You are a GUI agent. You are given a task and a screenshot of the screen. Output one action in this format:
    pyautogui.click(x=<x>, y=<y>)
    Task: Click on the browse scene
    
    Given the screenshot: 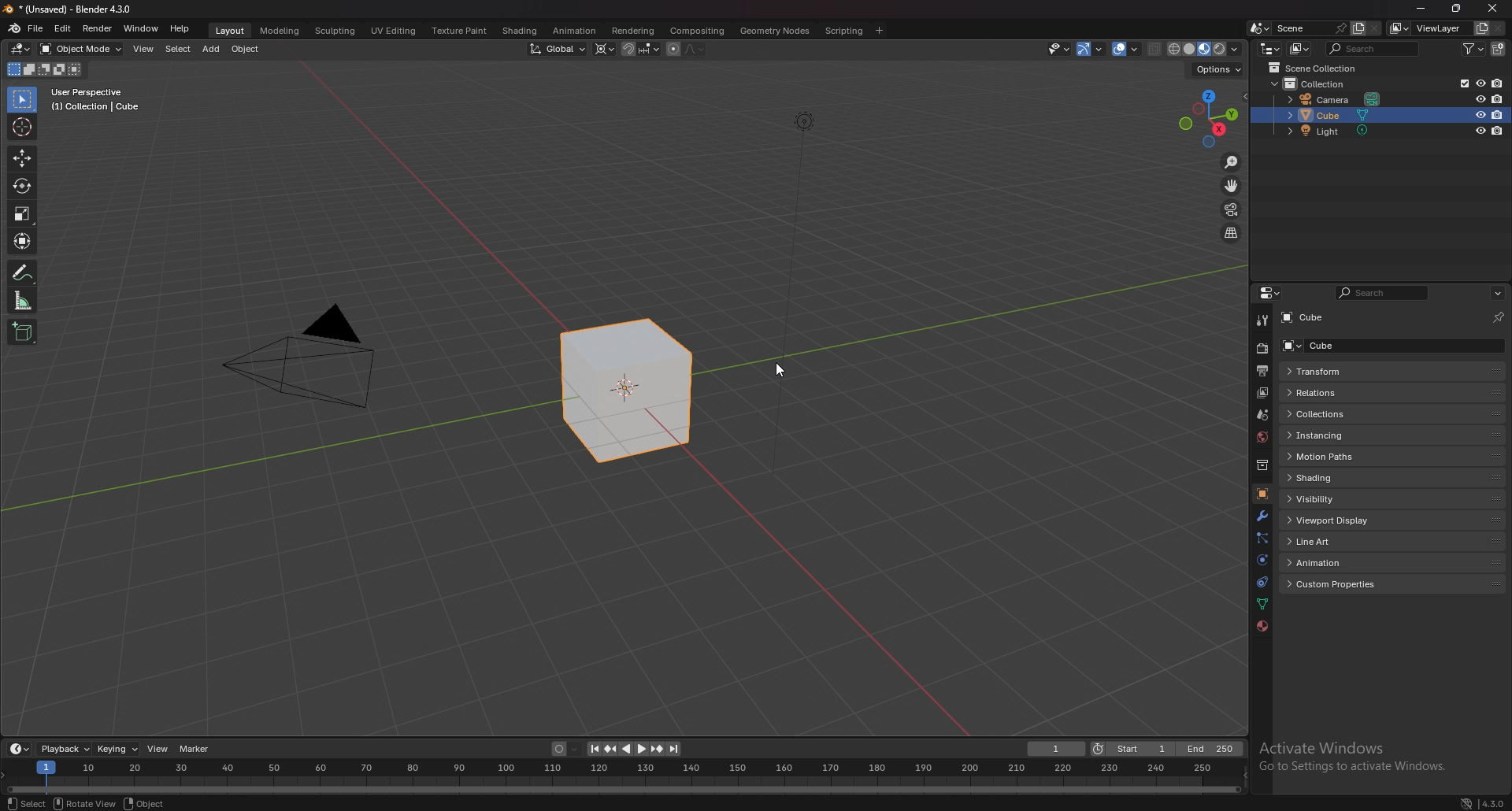 What is the action you would take?
    pyautogui.click(x=1260, y=28)
    